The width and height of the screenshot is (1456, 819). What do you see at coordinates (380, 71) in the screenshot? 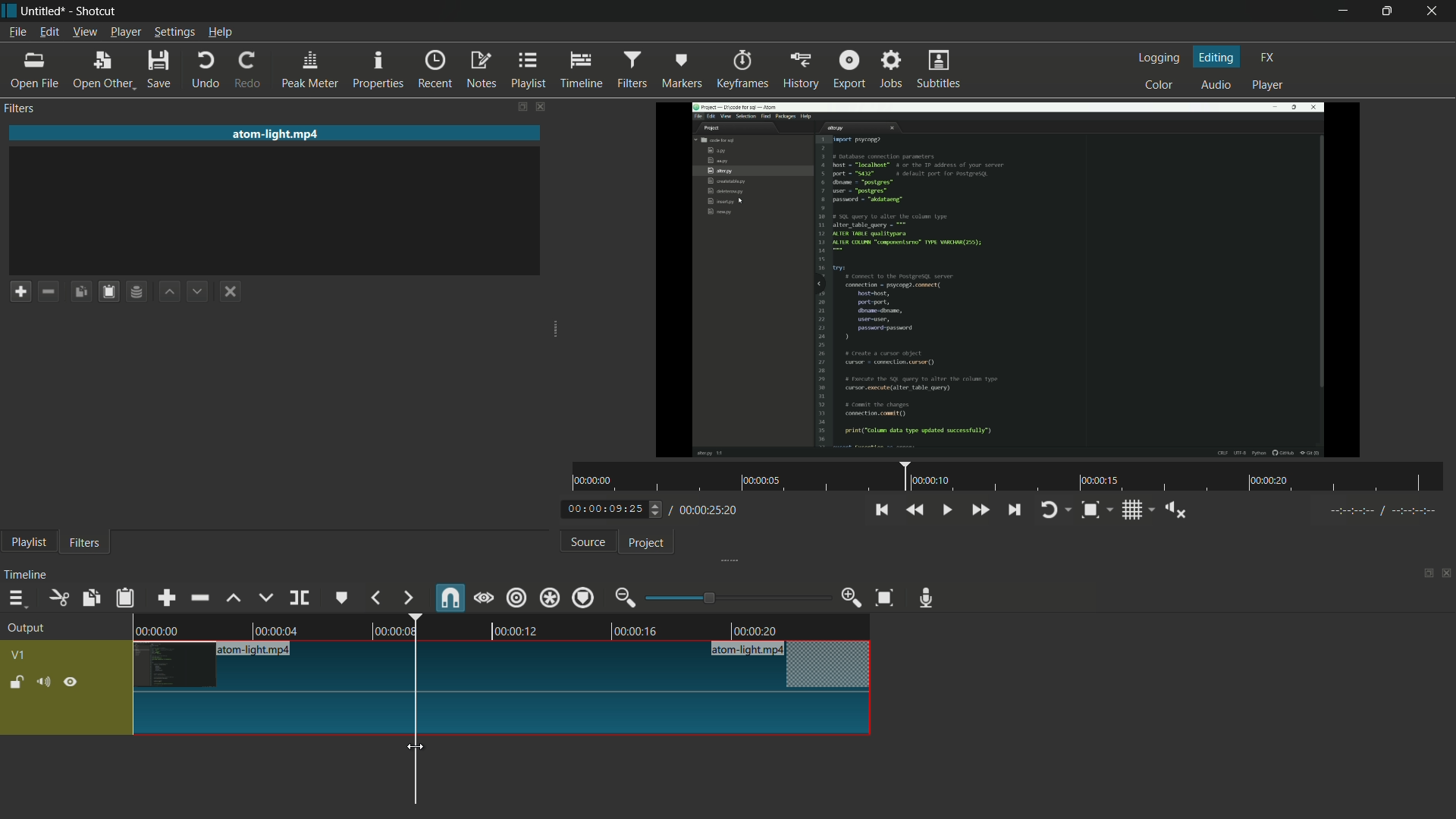
I see `properties` at bounding box center [380, 71].